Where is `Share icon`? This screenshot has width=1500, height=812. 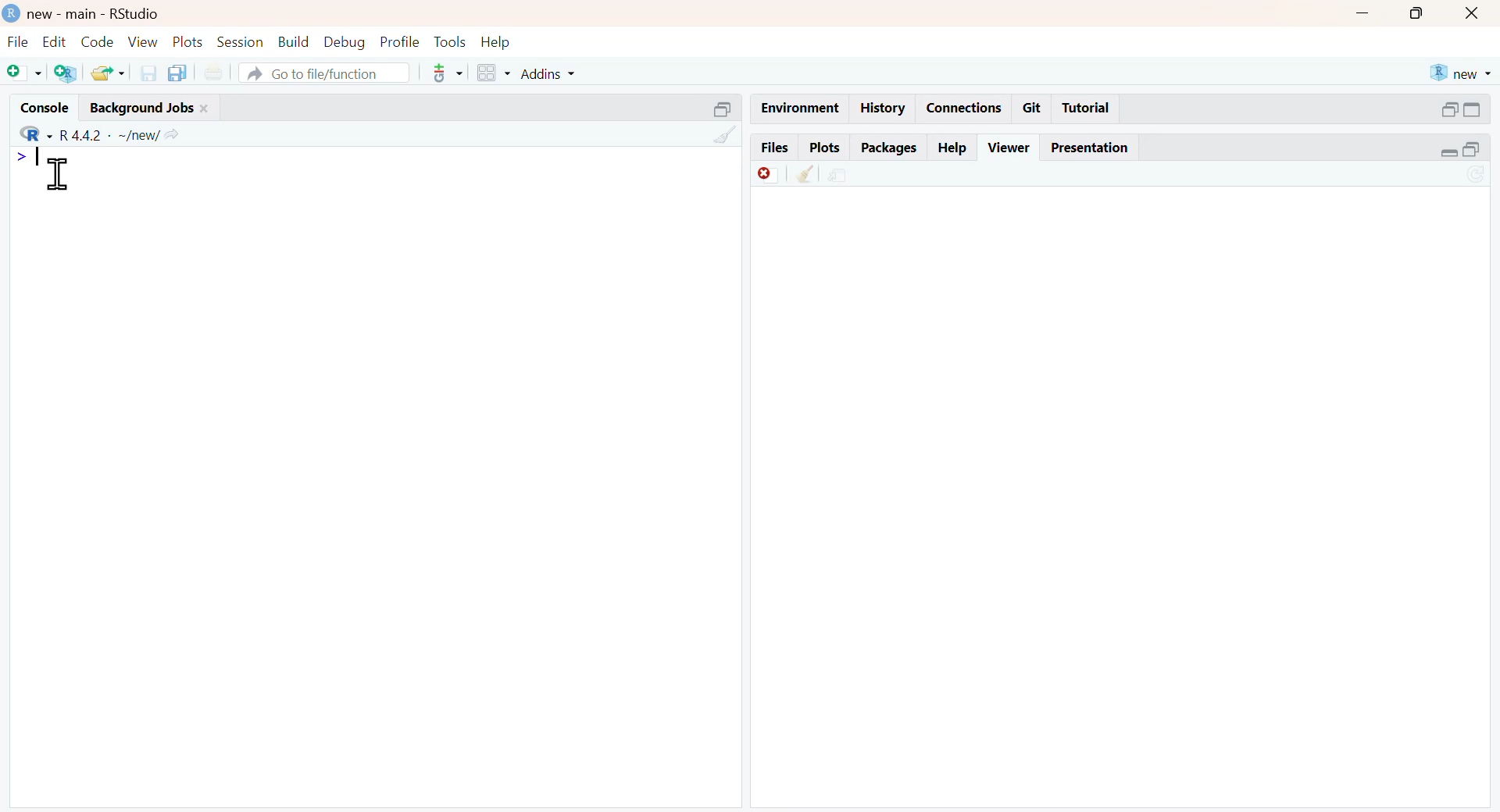
Share icon is located at coordinates (172, 133).